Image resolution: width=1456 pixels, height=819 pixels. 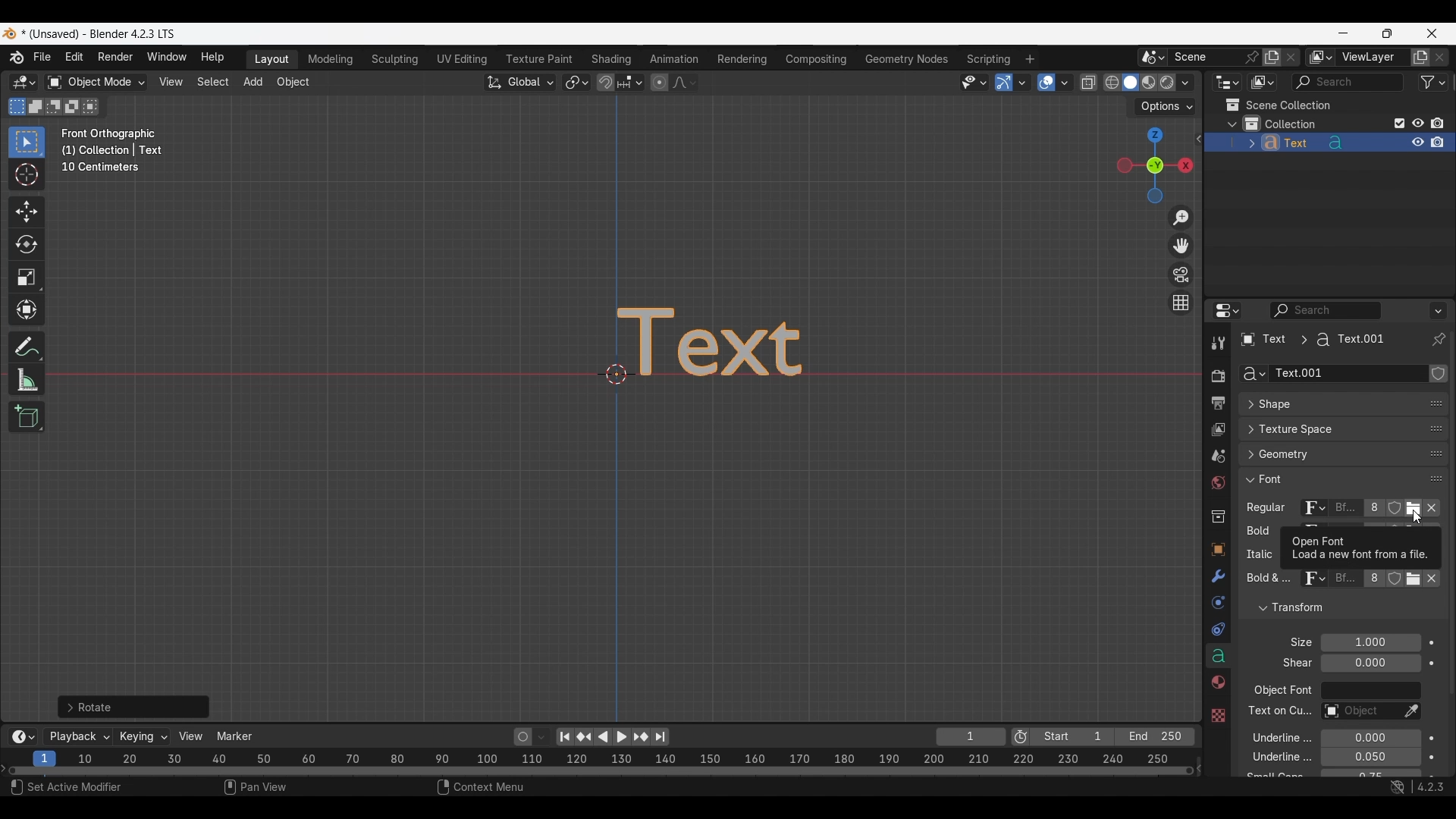 I want to click on Underline position, so click(x=1372, y=739).